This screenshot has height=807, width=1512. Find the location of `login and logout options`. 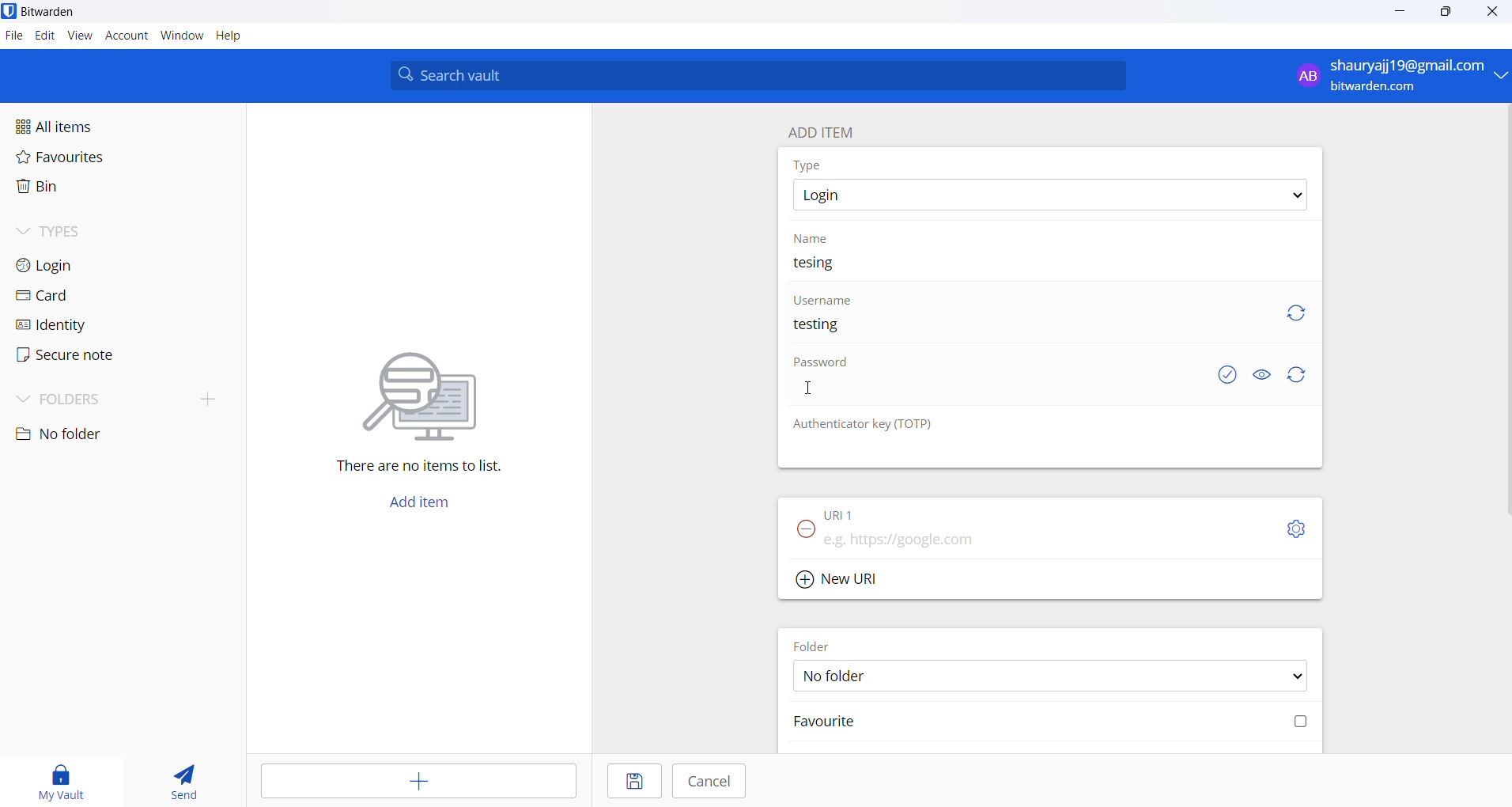

login and logout options is located at coordinates (1400, 77).